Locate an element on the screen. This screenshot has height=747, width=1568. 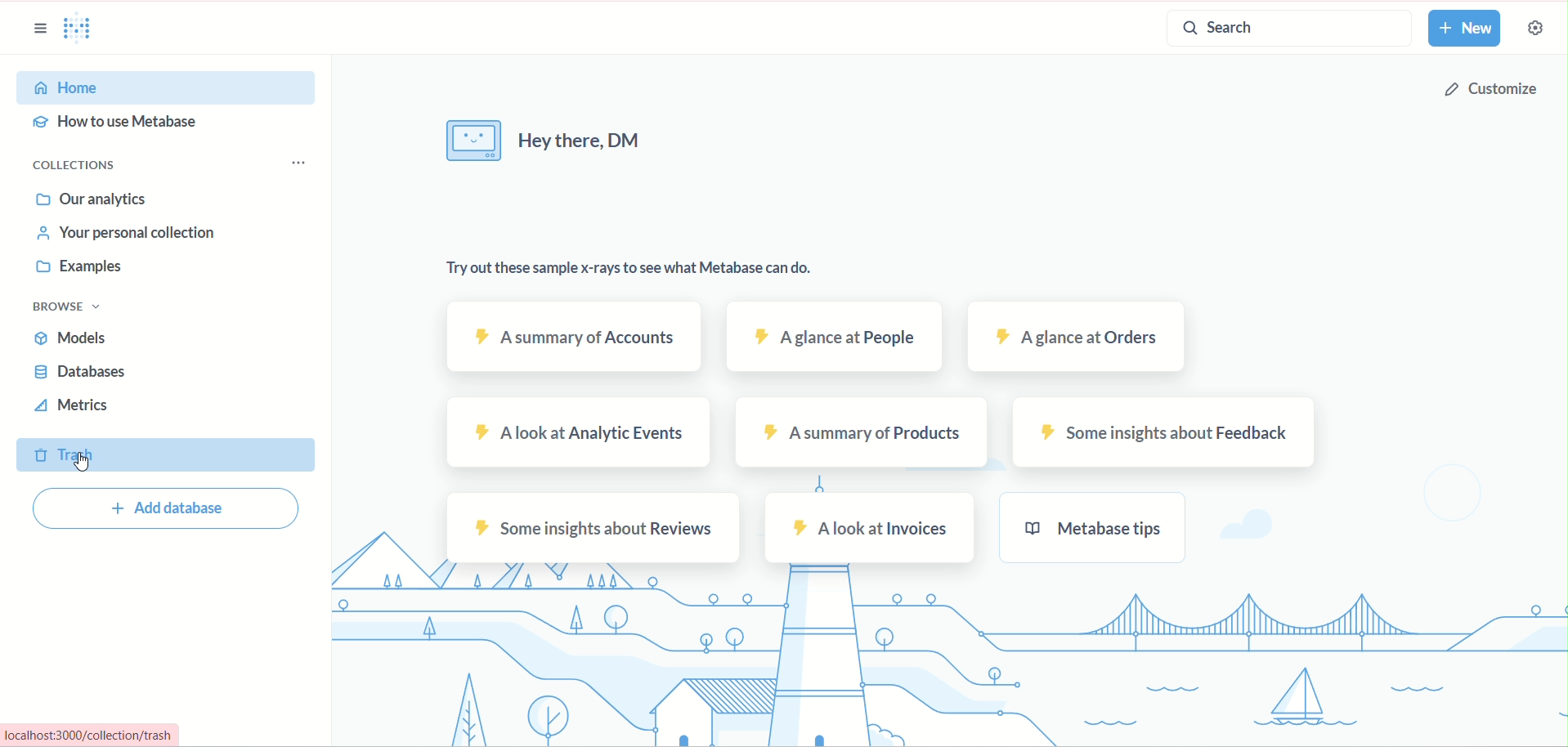
our annalytics is located at coordinates (96, 198).